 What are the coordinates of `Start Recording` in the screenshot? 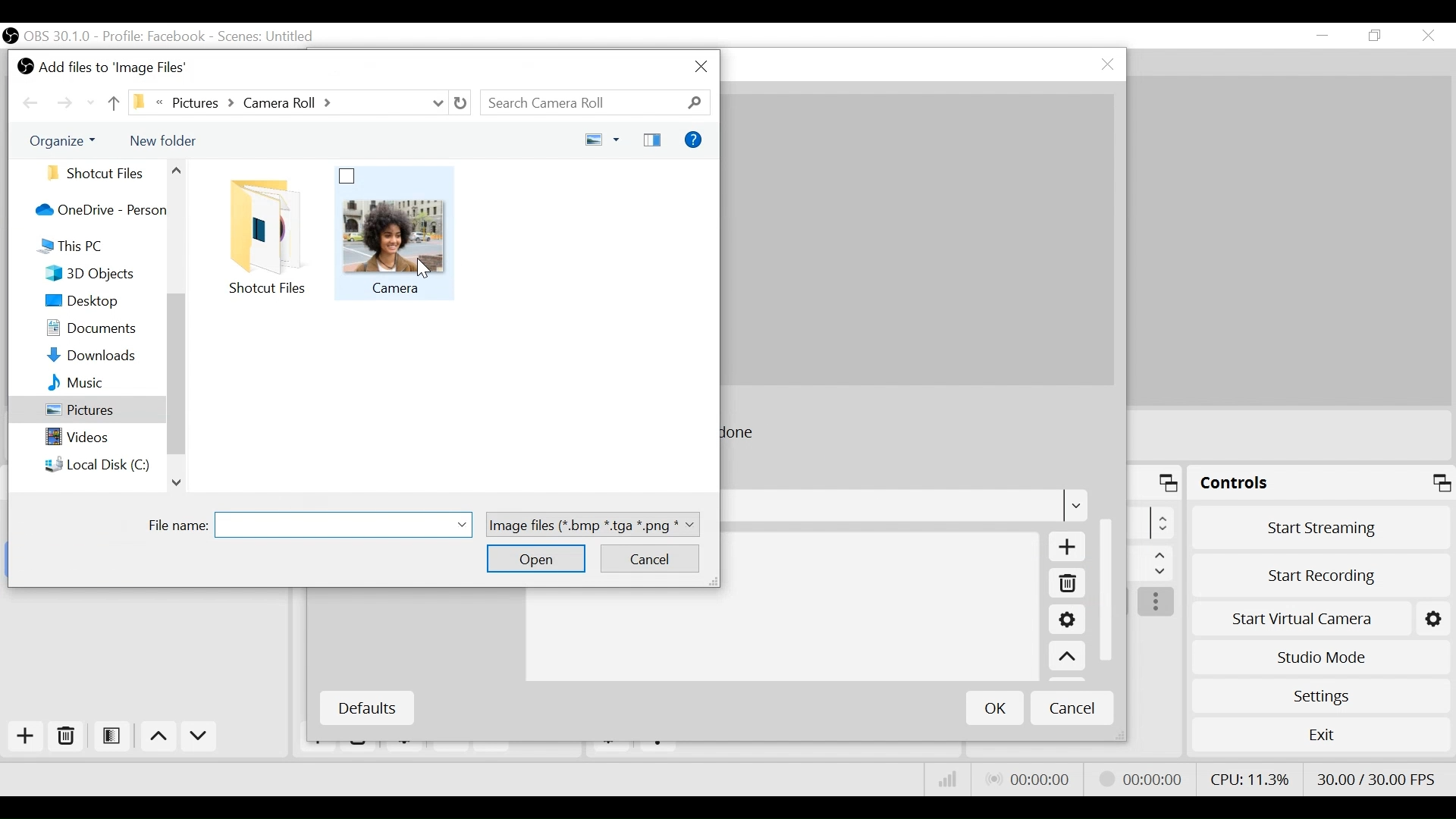 It's located at (1323, 571).